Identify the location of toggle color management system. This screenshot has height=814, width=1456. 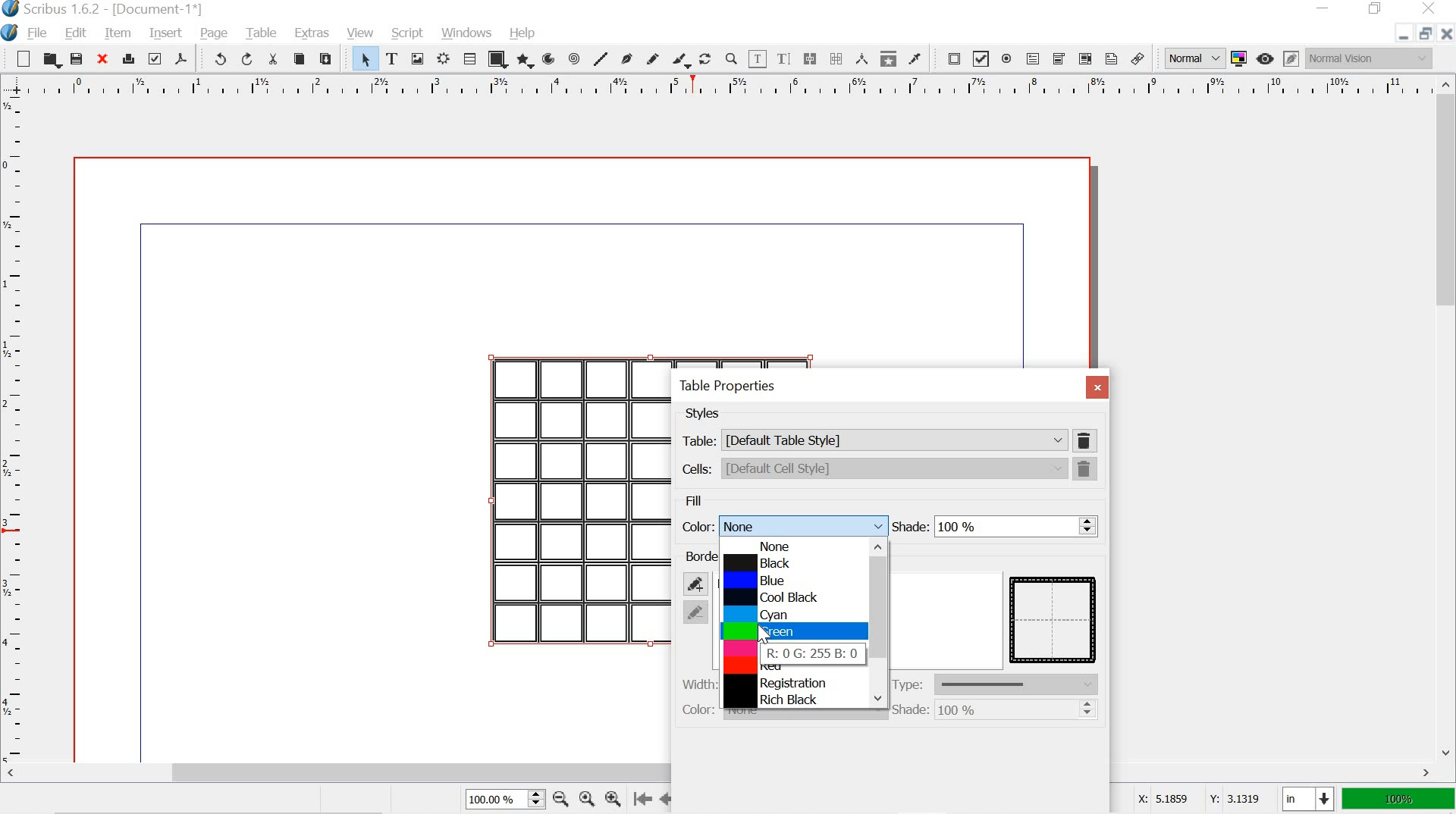
(1238, 57).